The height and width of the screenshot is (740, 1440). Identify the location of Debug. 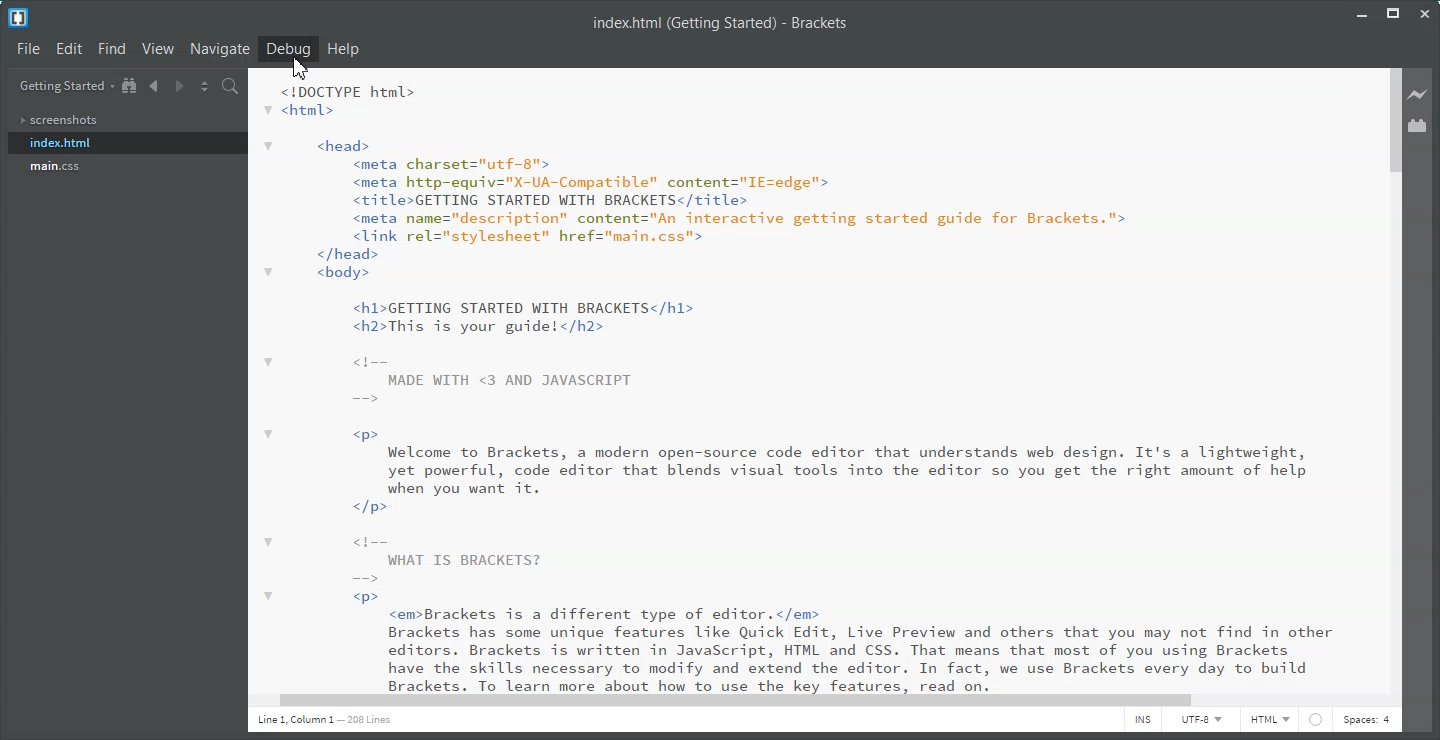
(288, 49).